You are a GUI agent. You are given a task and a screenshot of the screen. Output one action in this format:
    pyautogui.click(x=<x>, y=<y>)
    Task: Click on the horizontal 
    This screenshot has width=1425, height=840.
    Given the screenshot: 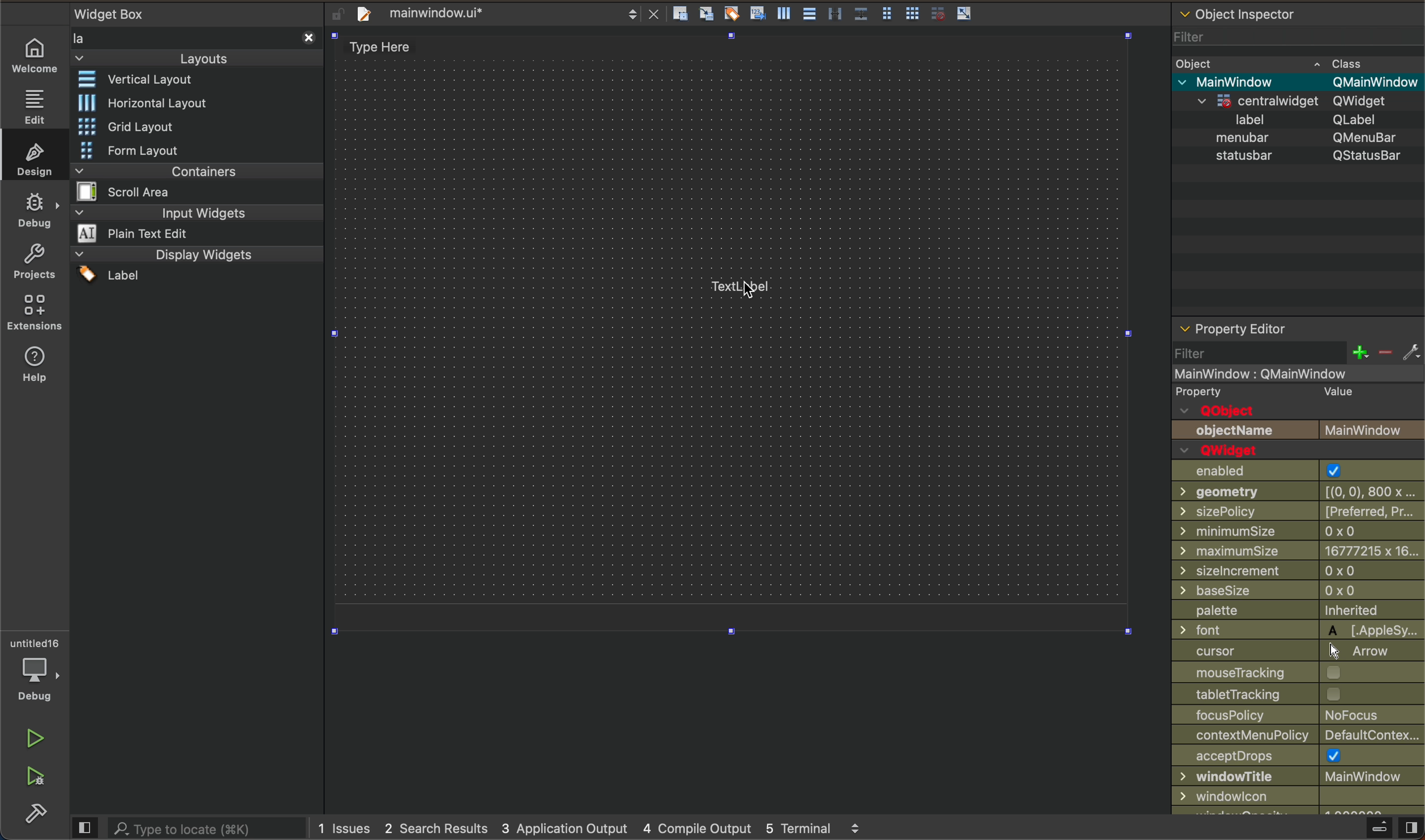 What is the action you would take?
    pyautogui.click(x=143, y=102)
    